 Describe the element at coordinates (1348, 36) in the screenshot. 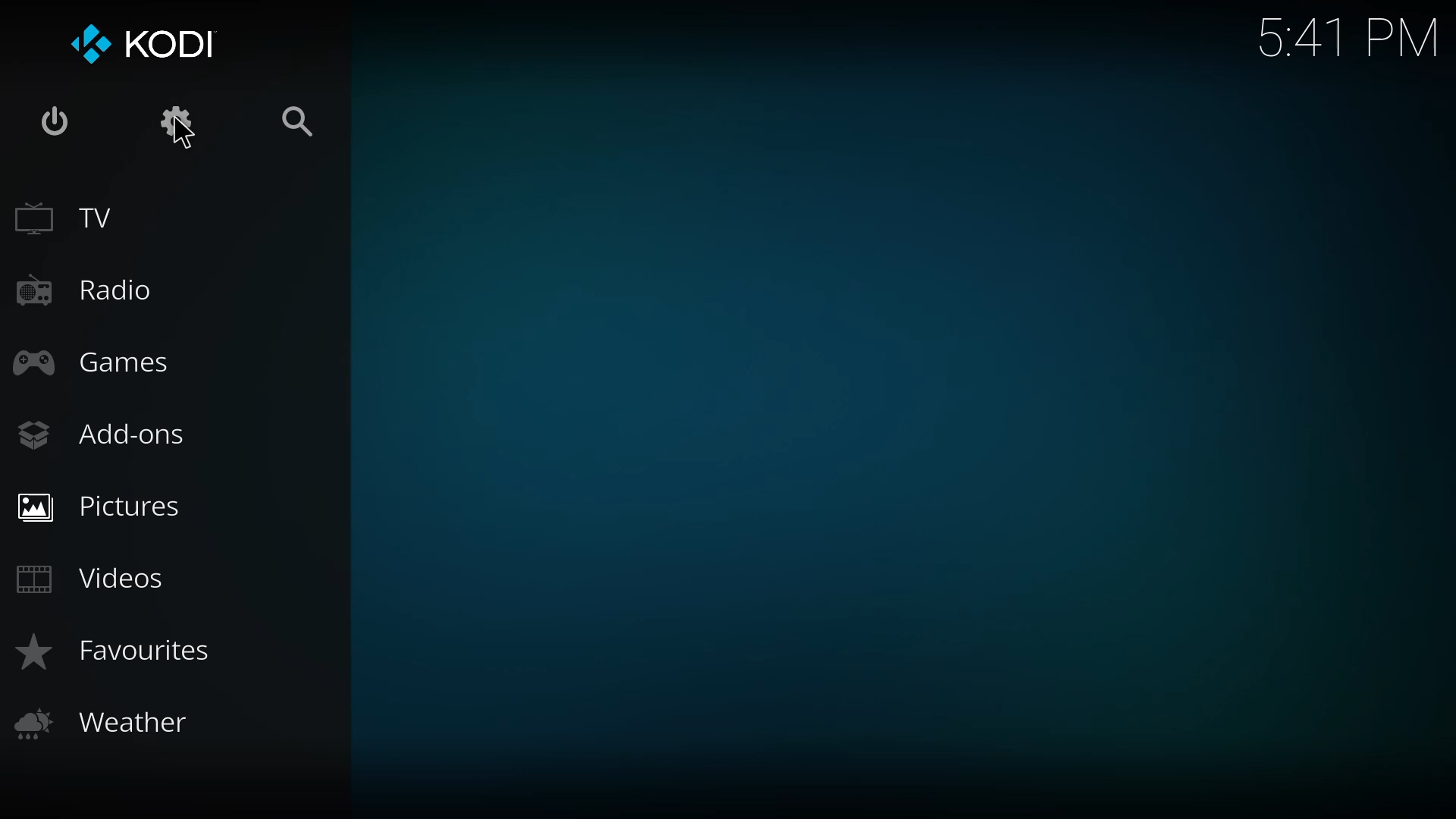

I see `5:41 PM` at that location.